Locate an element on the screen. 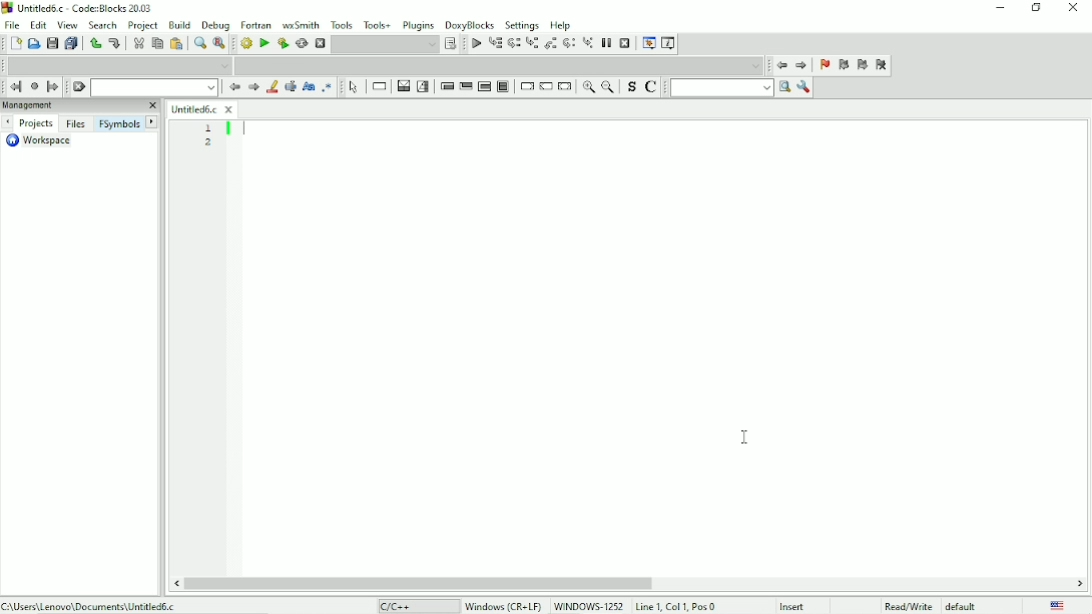 This screenshot has width=1092, height=614. Drop down is located at coordinates (153, 88).